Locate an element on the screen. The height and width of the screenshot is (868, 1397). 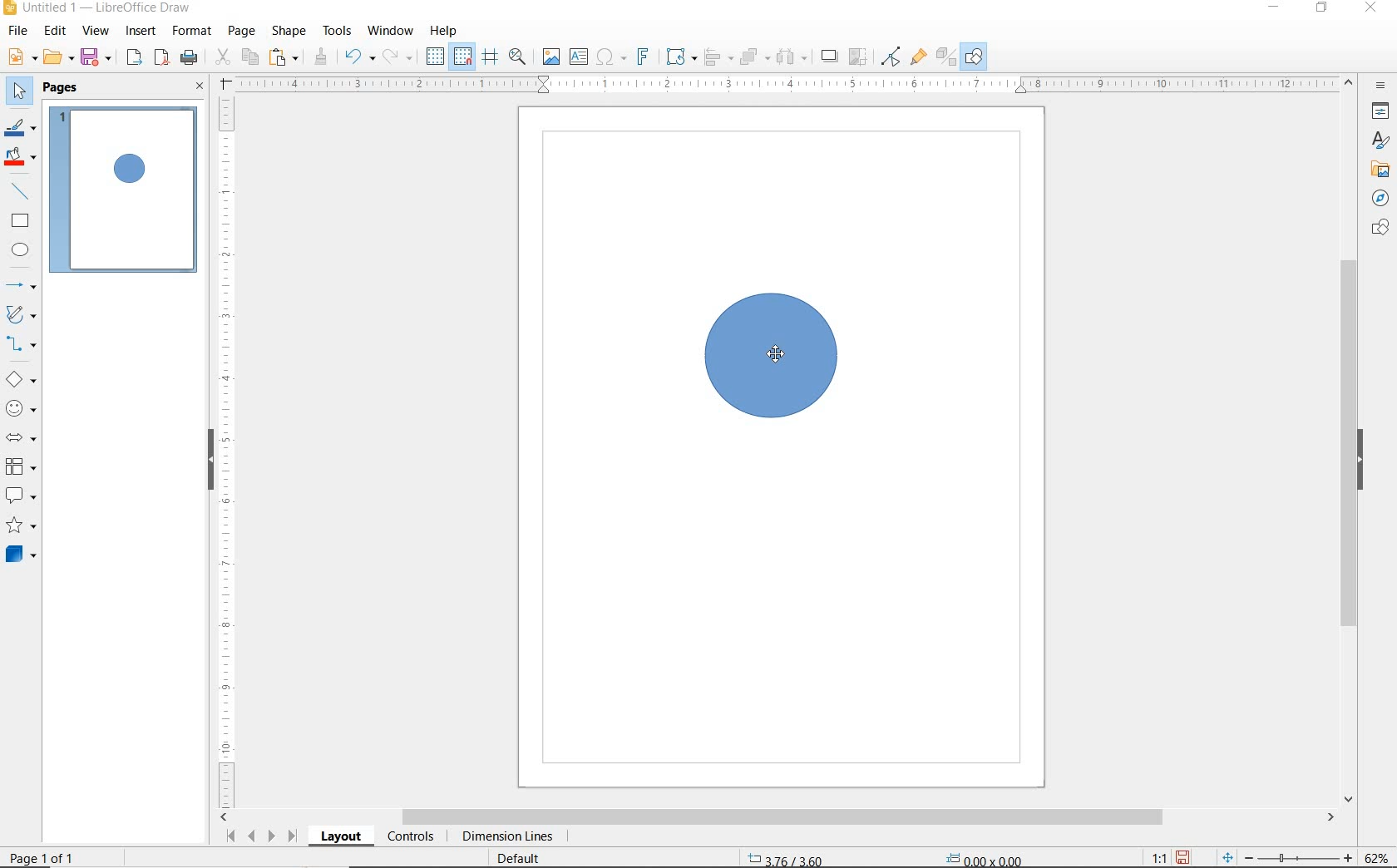
ELLIPSE is located at coordinates (22, 252).